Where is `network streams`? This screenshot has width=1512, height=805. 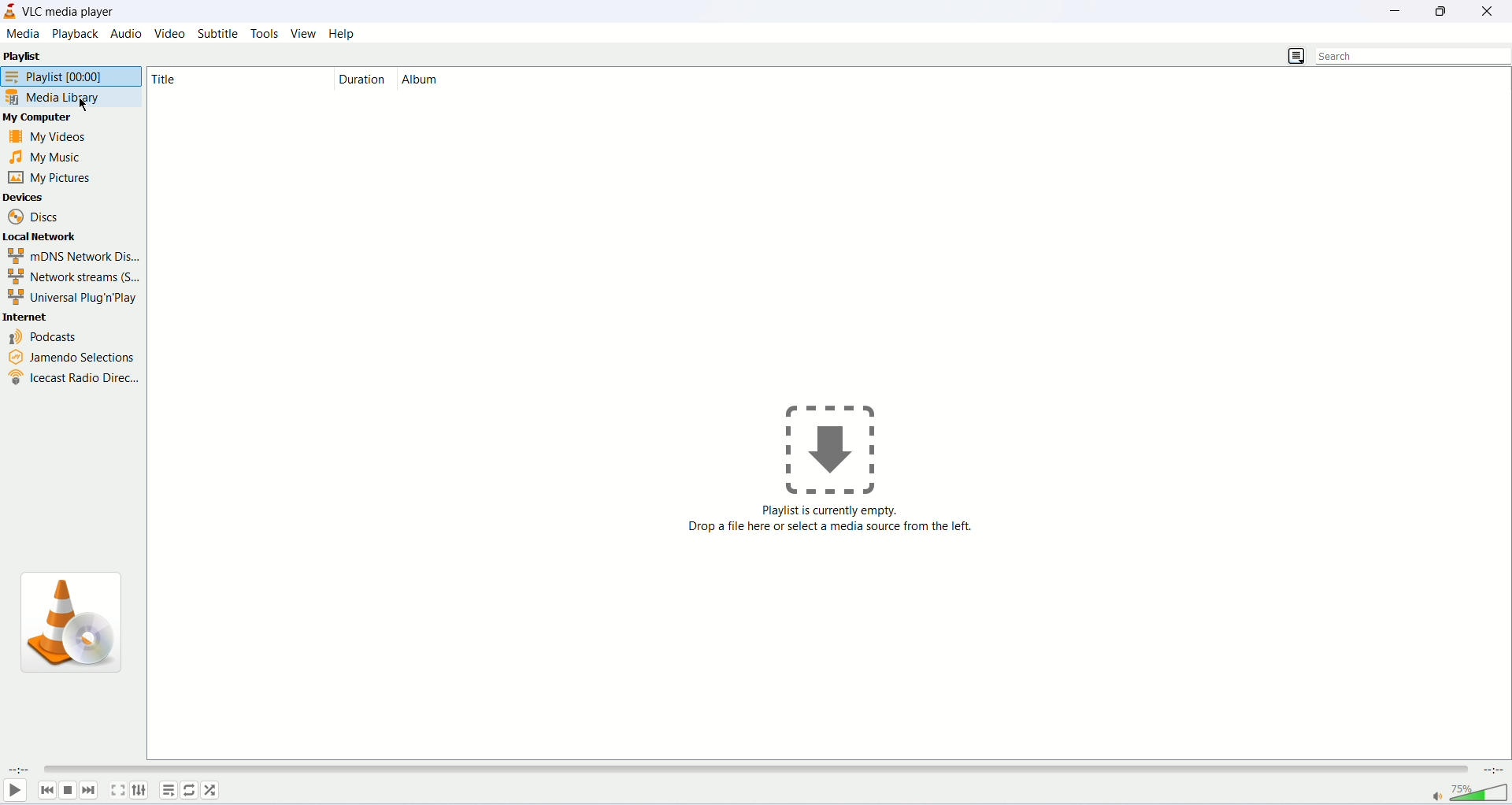
network streams is located at coordinates (72, 277).